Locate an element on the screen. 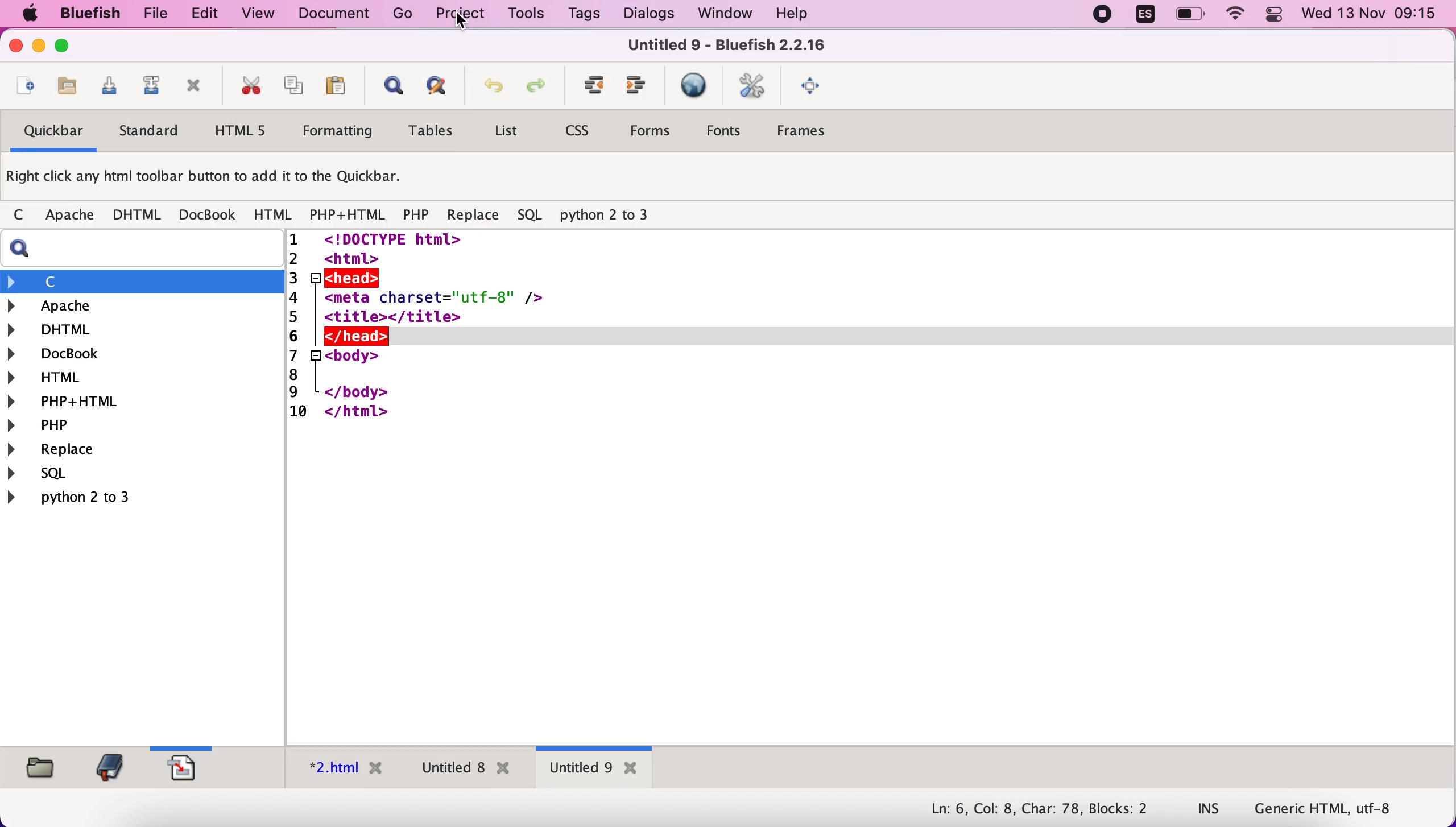 Image resolution: width=1456 pixels, height=827 pixels. cut is located at coordinates (247, 88).